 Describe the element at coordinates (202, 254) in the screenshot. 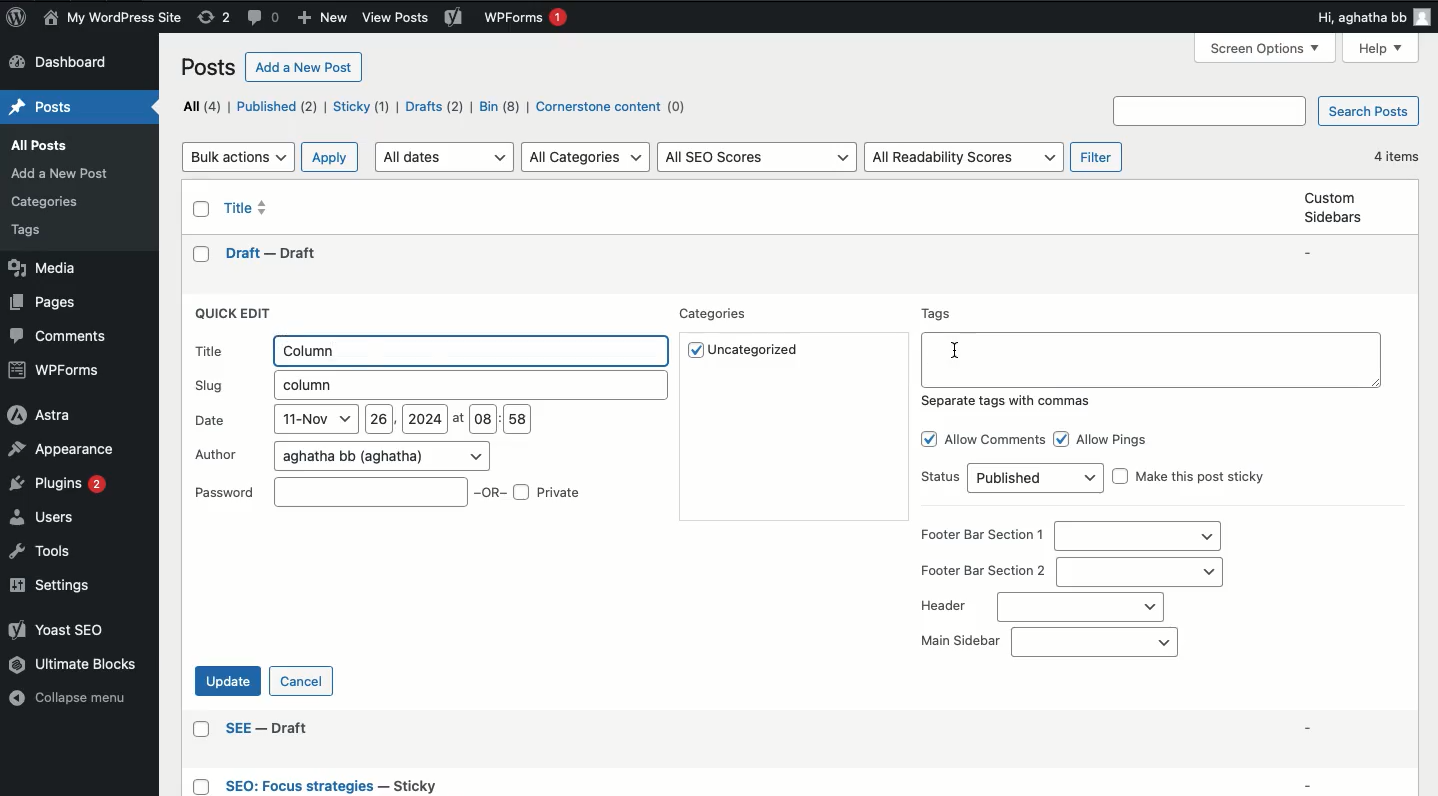

I see `checkbox` at that location.